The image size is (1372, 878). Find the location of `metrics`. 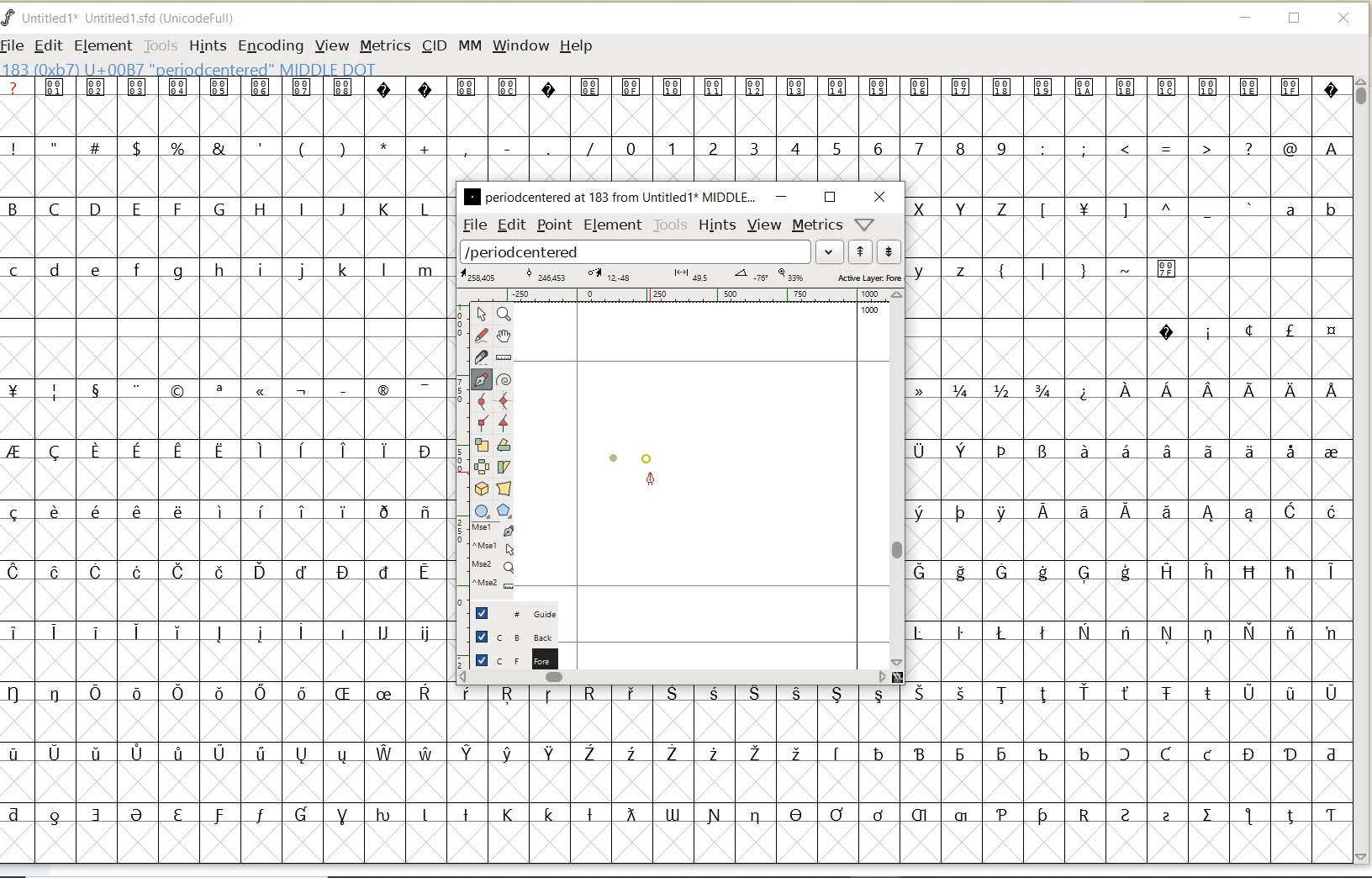

metrics is located at coordinates (818, 225).